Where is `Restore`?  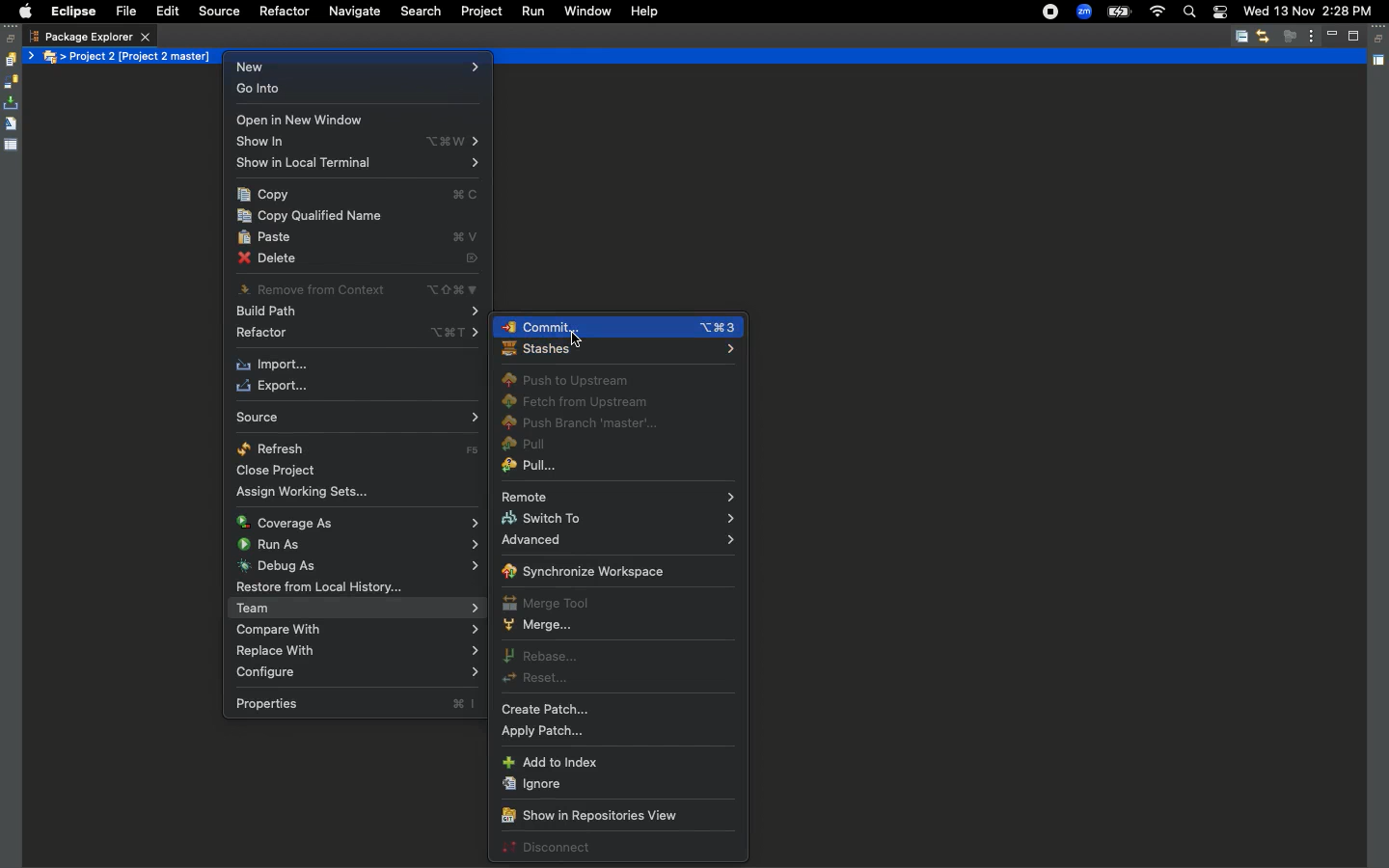
Restore is located at coordinates (1380, 40).